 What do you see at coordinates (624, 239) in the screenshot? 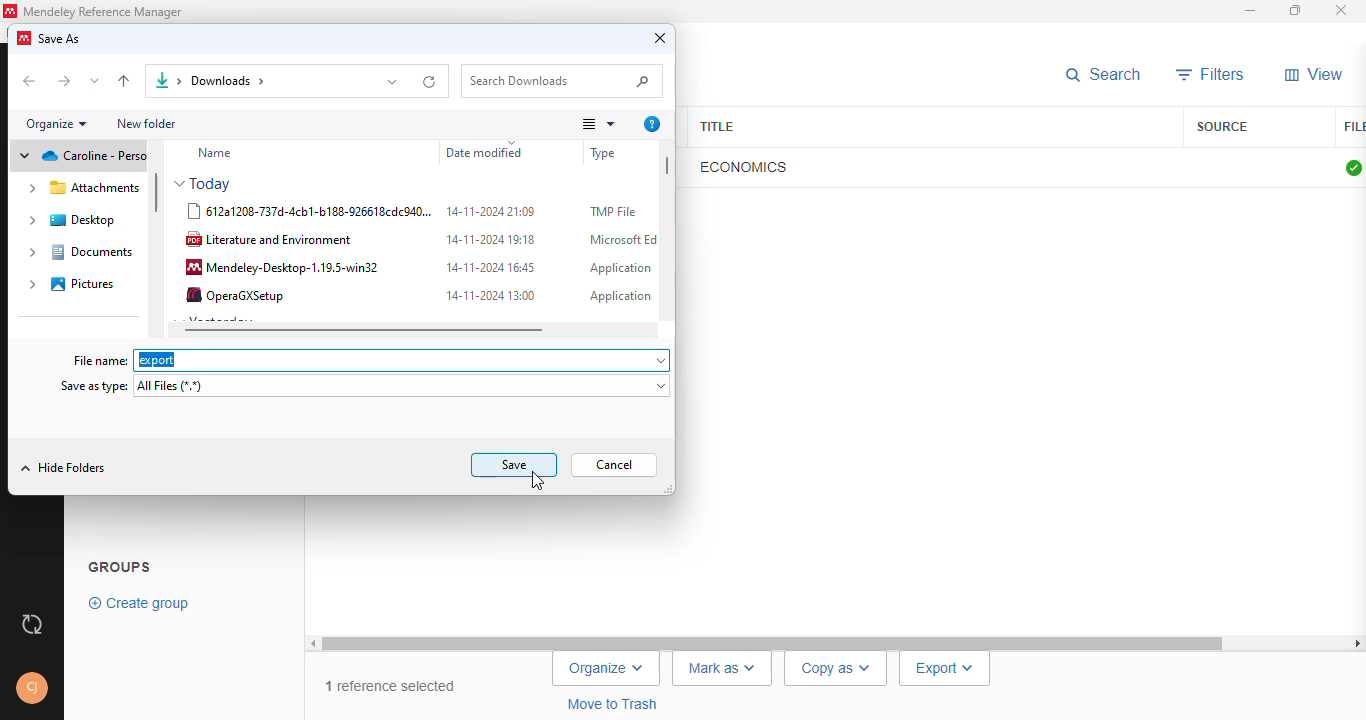
I see `microsoft ed` at bounding box center [624, 239].